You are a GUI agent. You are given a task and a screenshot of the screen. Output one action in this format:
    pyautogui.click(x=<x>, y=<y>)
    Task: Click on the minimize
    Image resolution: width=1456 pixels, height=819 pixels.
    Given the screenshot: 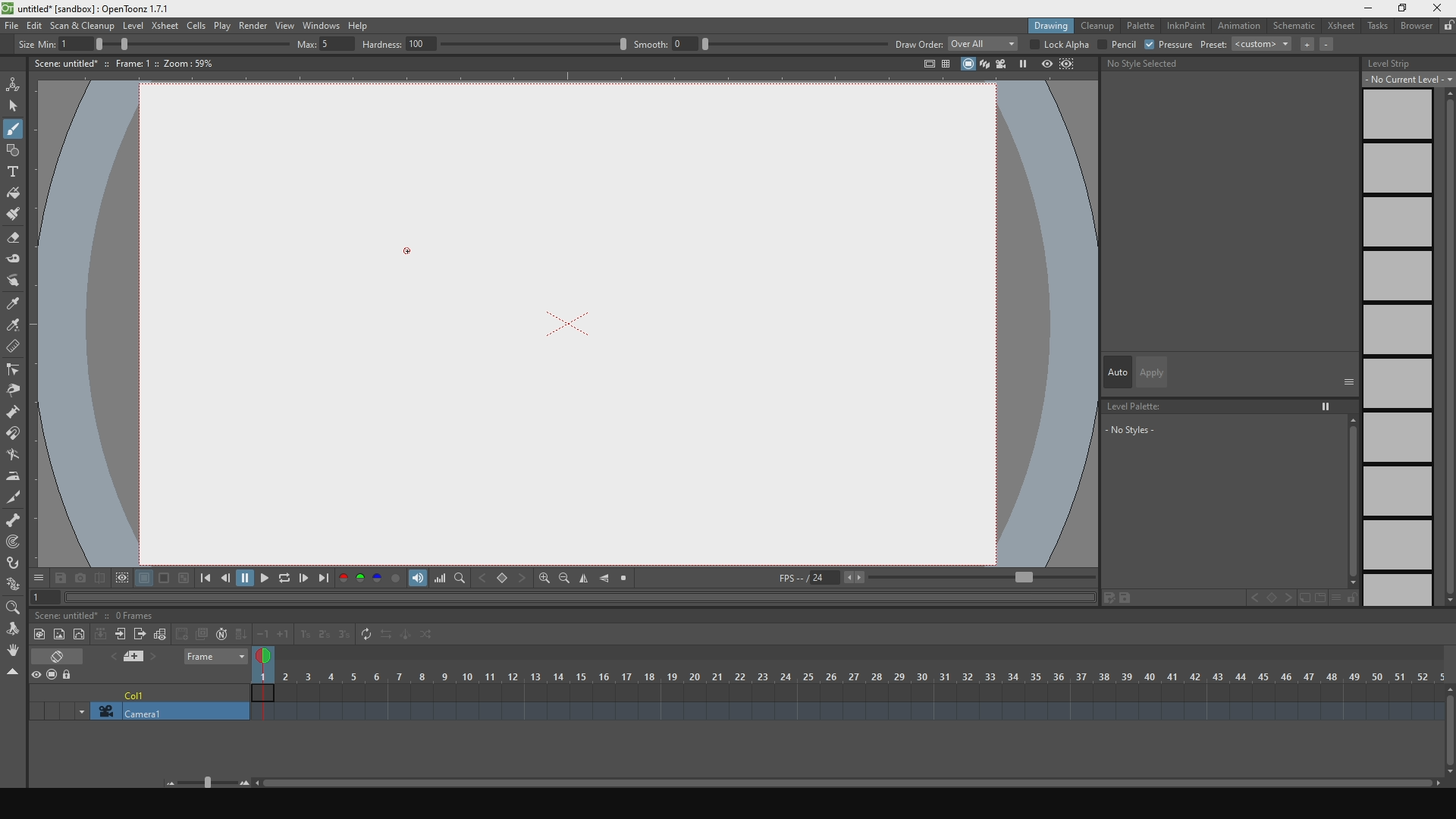 What is the action you would take?
    pyautogui.click(x=1368, y=7)
    